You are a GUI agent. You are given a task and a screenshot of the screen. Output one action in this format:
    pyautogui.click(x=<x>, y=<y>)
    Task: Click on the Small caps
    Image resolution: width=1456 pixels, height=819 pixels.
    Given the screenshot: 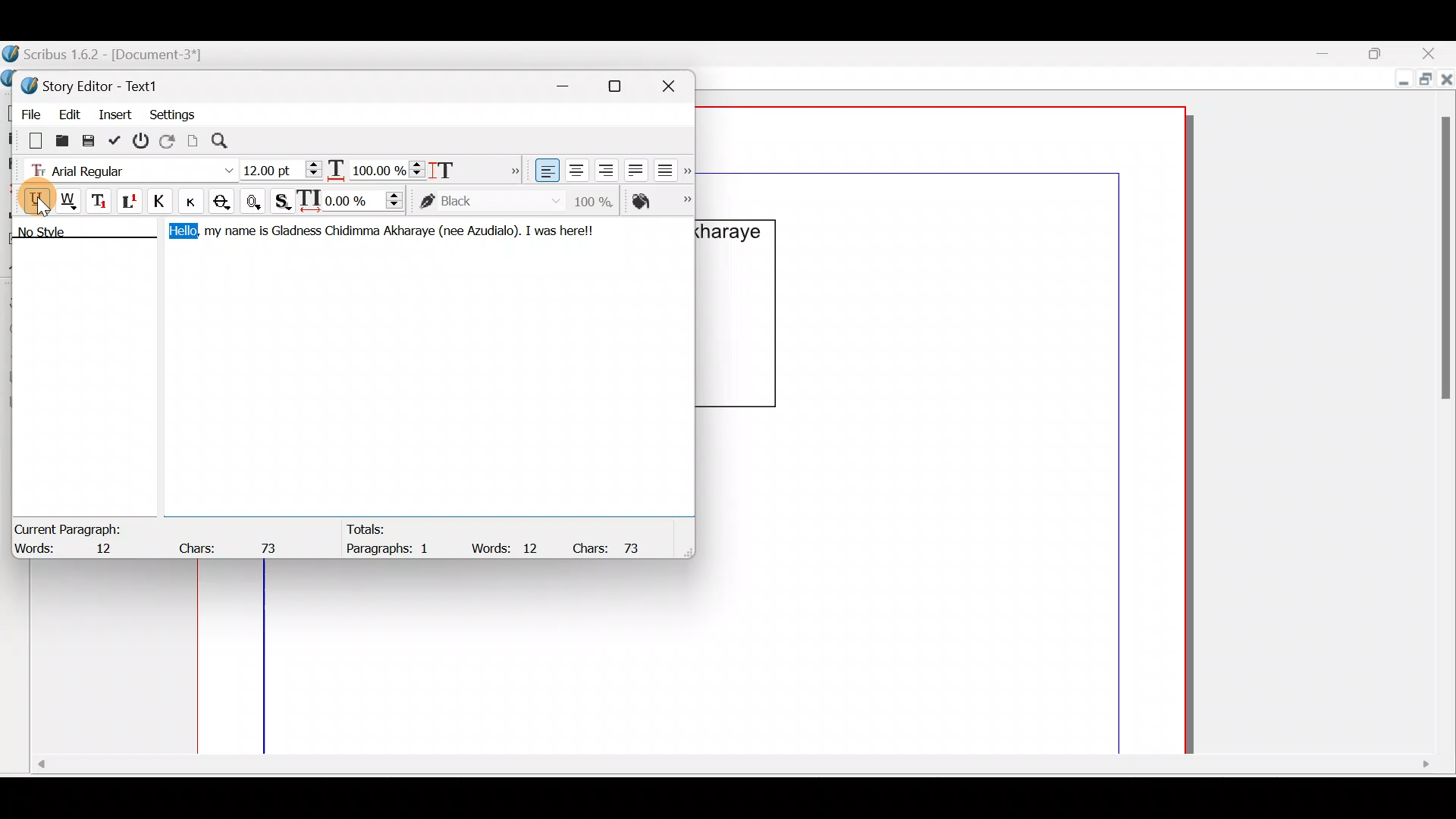 What is the action you would take?
    pyautogui.click(x=195, y=200)
    